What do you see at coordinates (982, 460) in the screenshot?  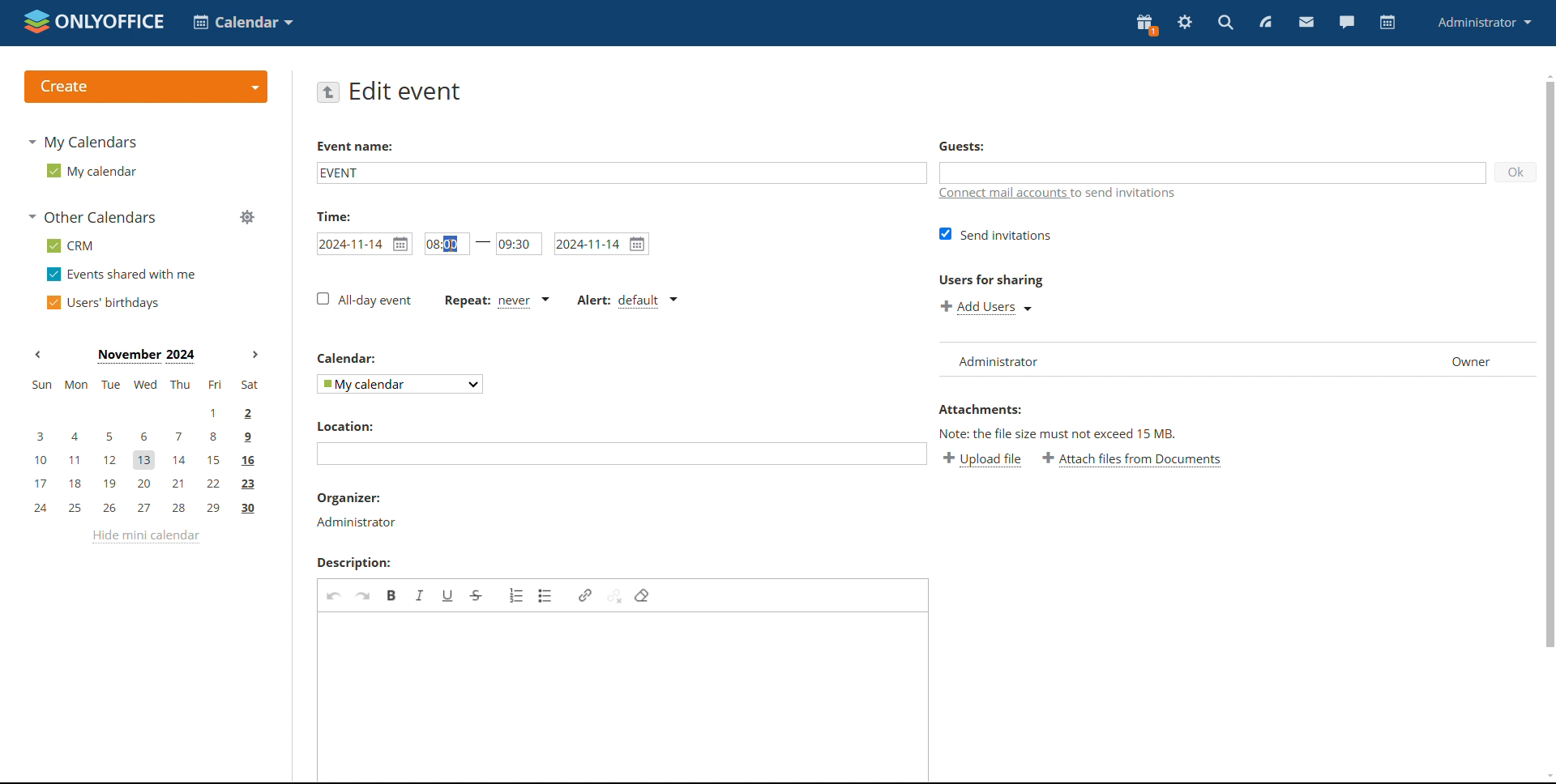 I see `upload file` at bounding box center [982, 460].